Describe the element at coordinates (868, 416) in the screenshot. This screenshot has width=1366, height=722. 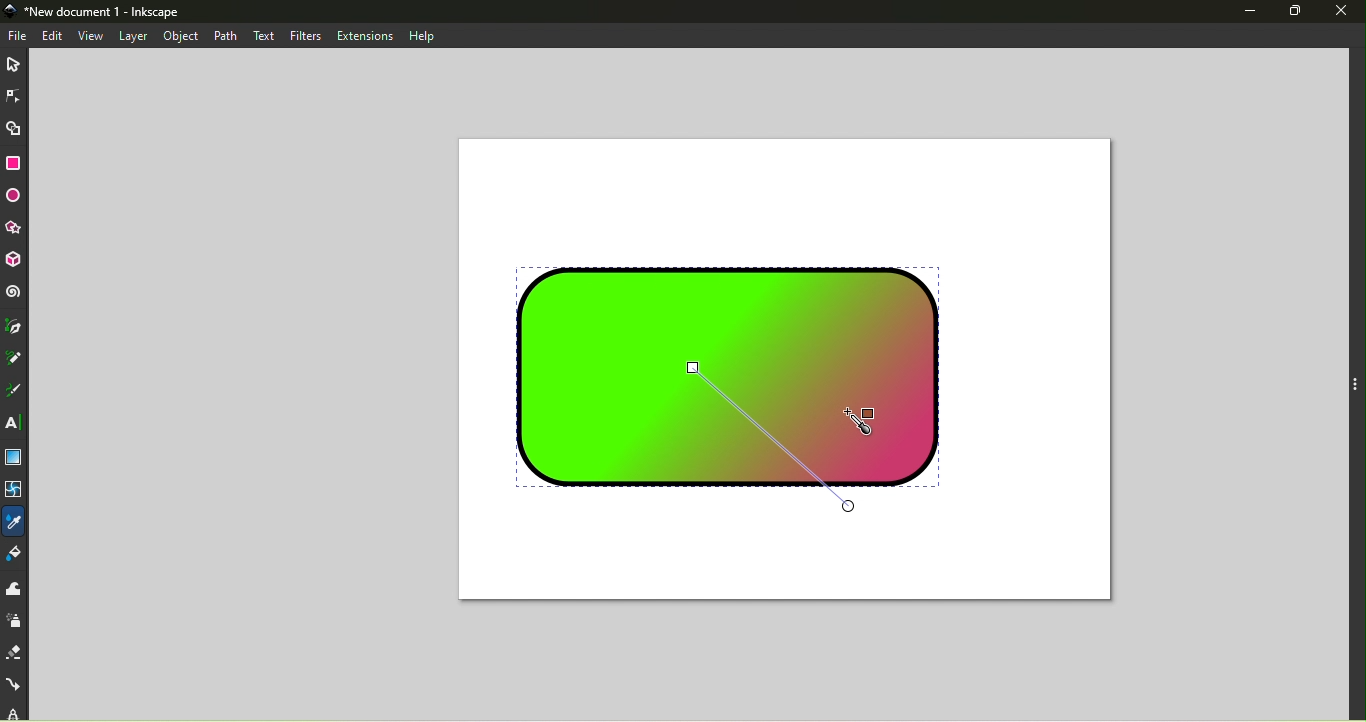
I see `cursor` at that location.